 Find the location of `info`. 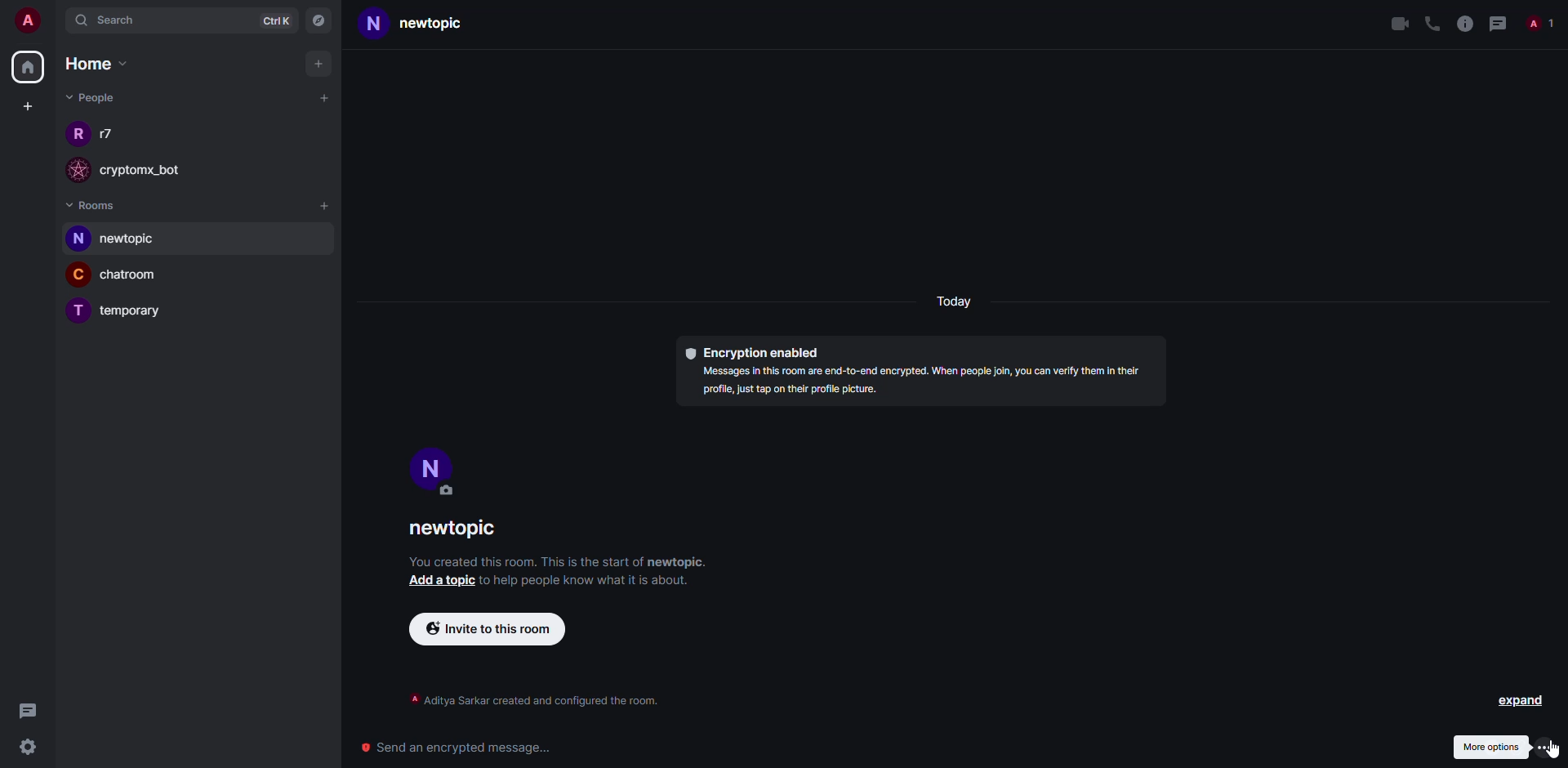

info is located at coordinates (527, 699).